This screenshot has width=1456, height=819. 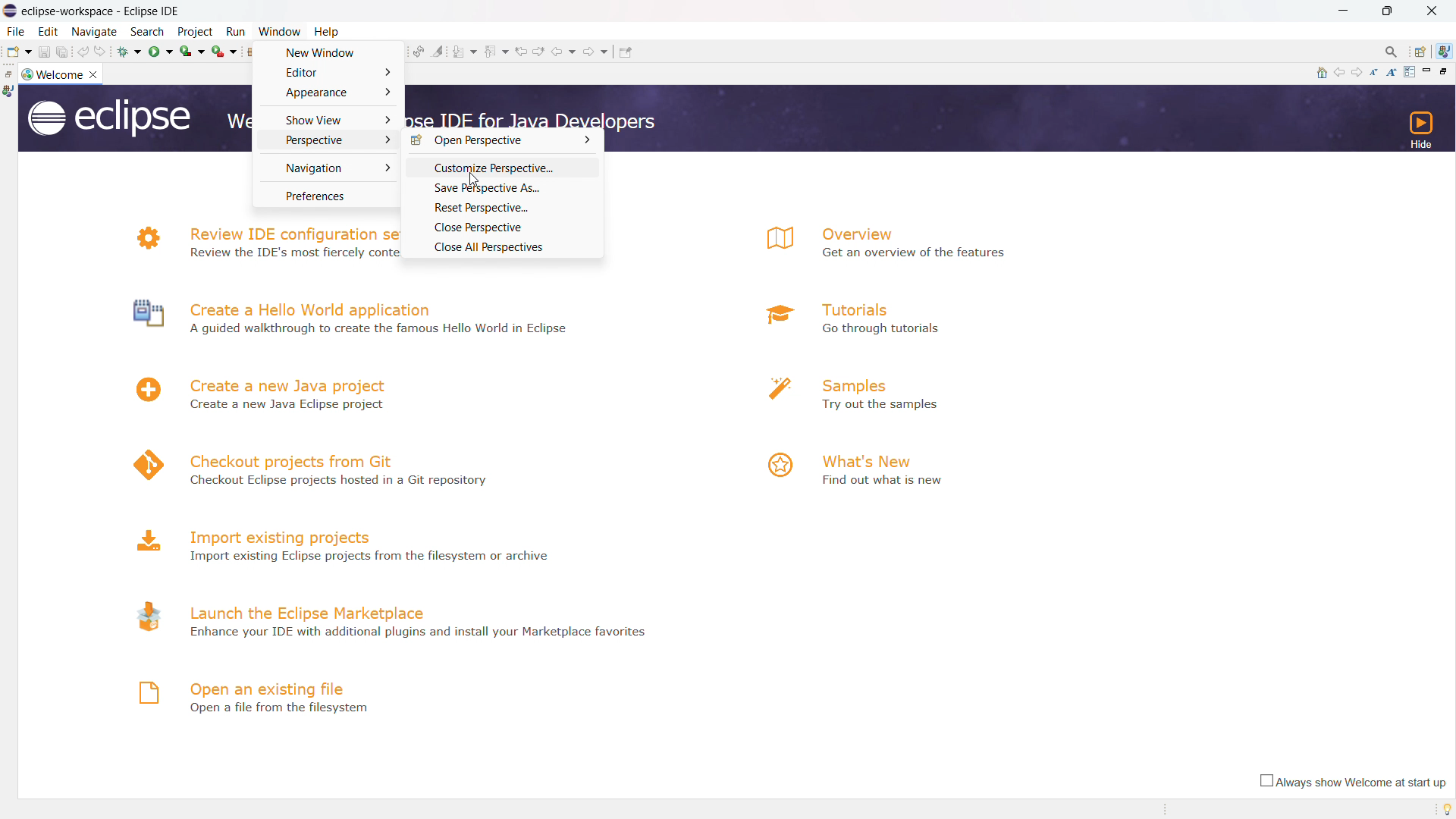 What do you see at coordinates (111, 10) in the screenshot?
I see `Title` at bounding box center [111, 10].